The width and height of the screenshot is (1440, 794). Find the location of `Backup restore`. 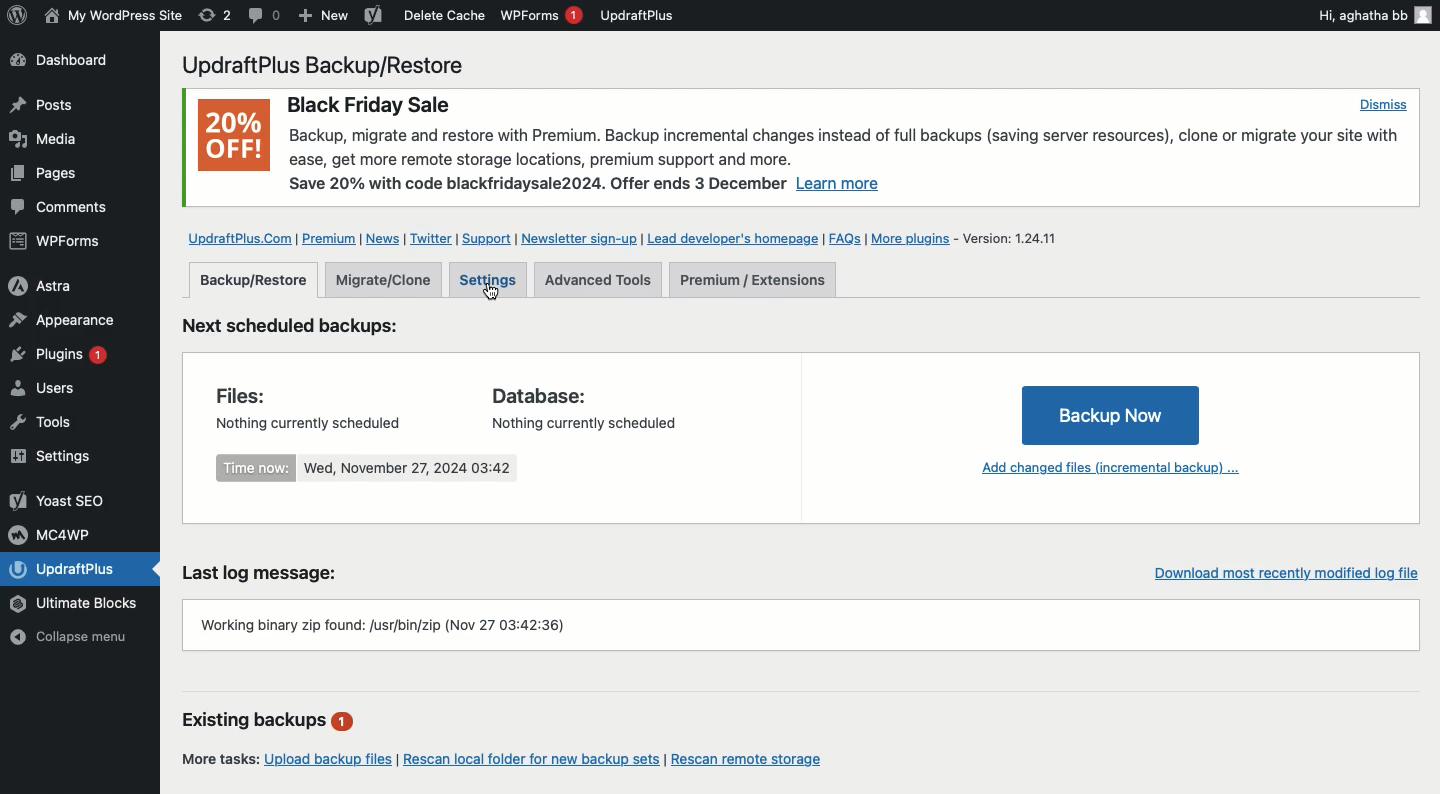

Backup restore is located at coordinates (248, 283).